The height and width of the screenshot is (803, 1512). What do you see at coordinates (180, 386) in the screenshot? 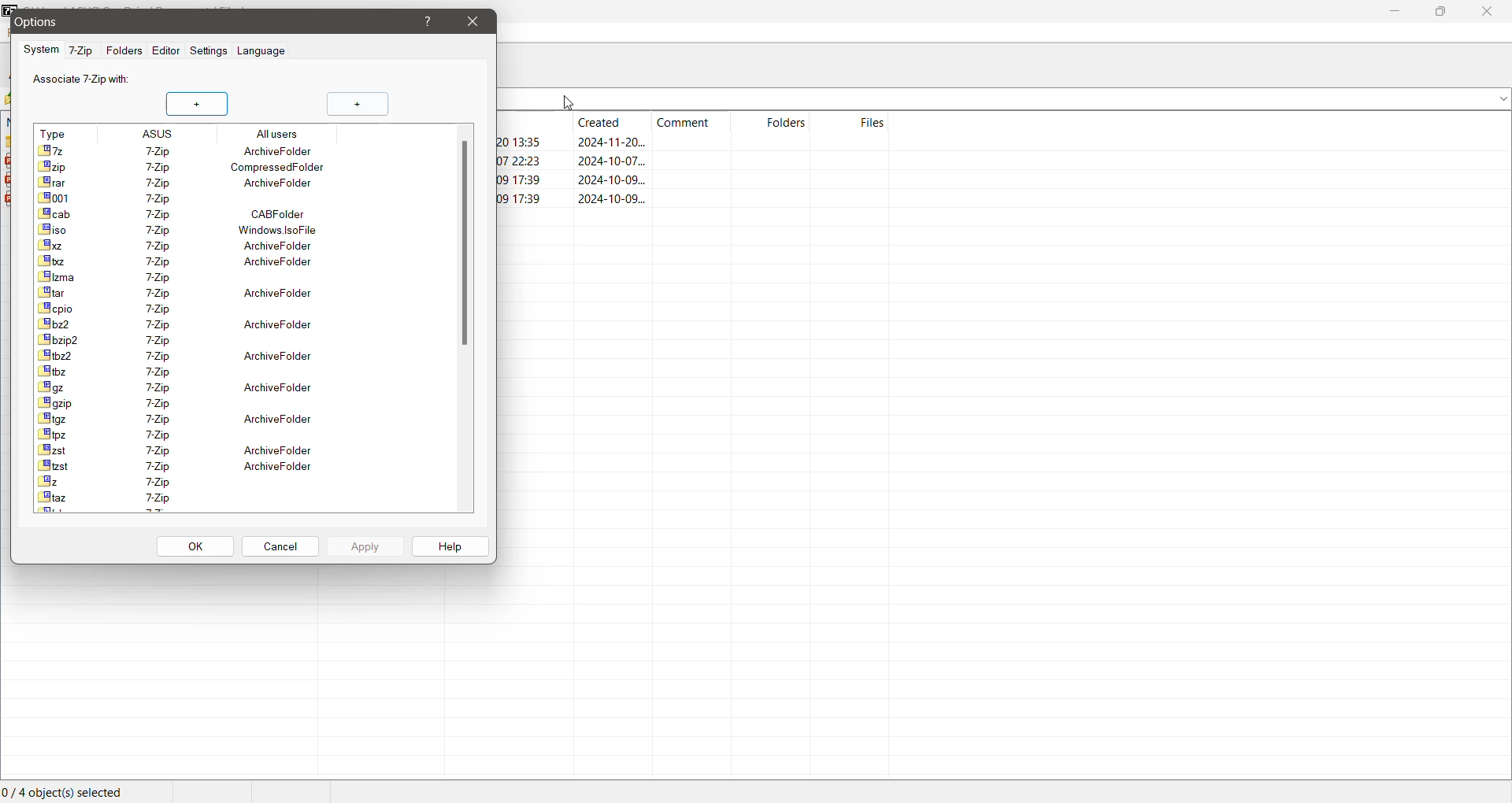
I see `Archived Folder` at bounding box center [180, 386].